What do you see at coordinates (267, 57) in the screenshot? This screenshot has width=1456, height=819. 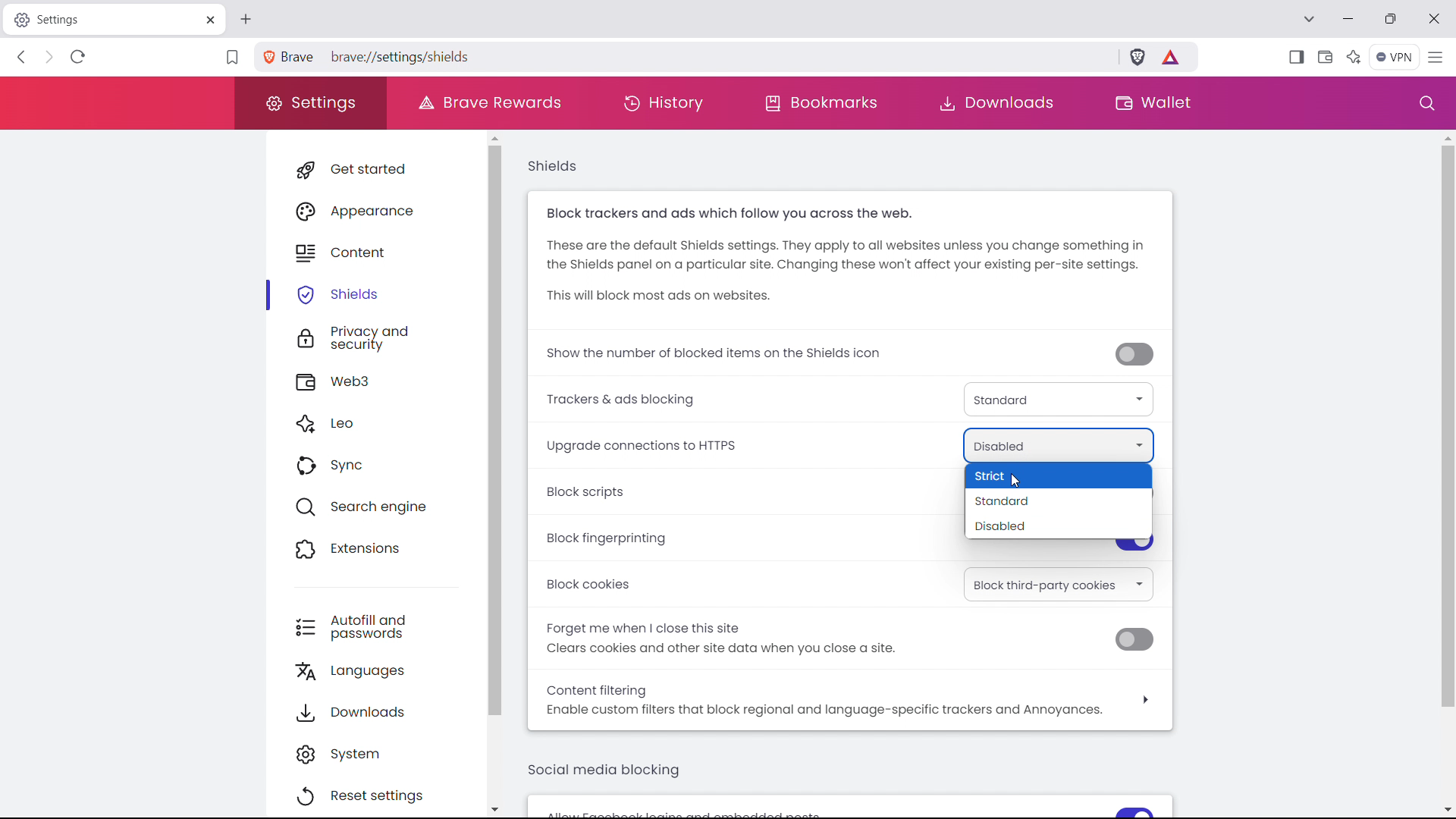 I see `view site information` at bounding box center [267, 57].